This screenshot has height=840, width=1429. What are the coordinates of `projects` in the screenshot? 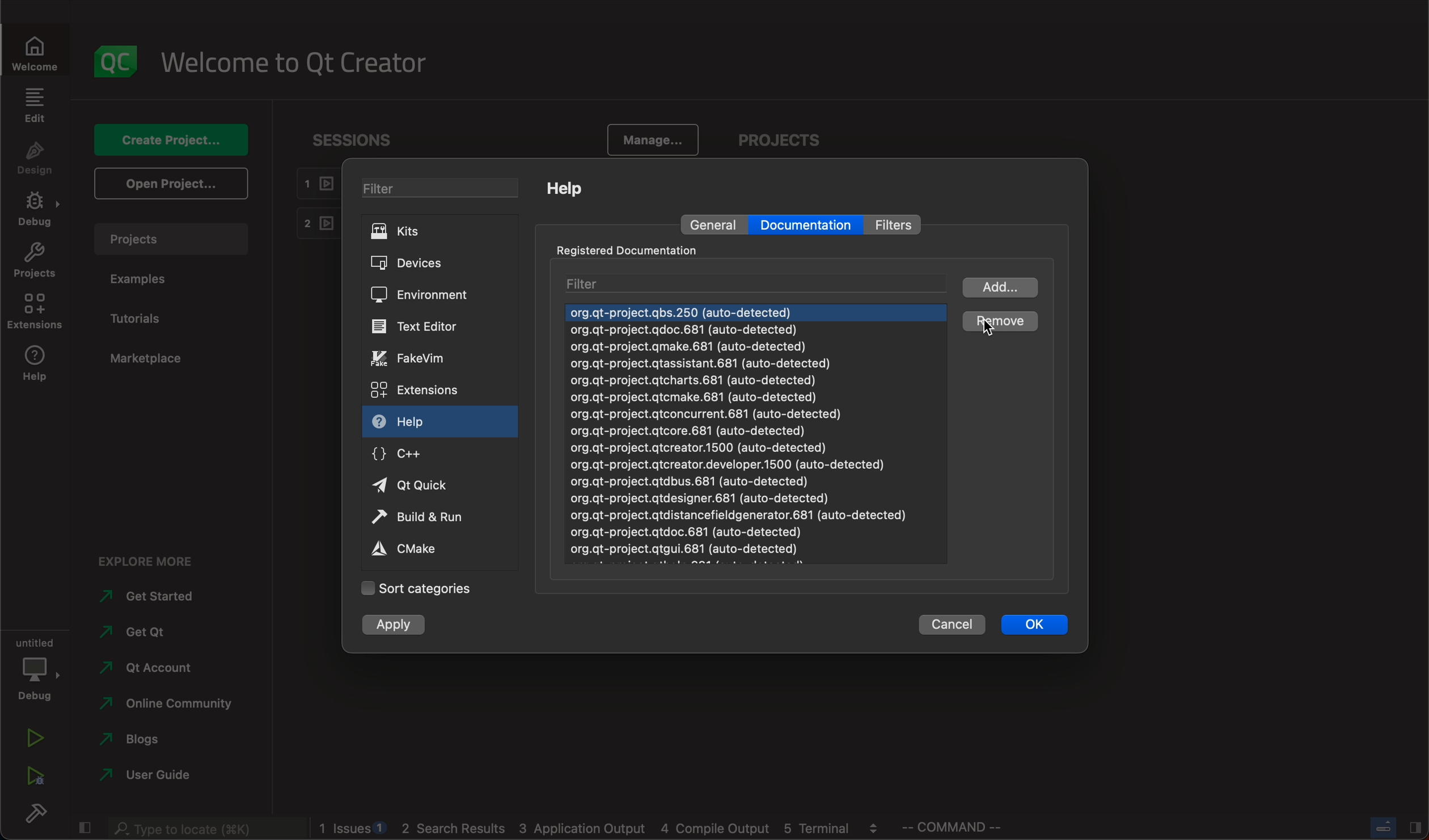 It's located at (34, 259).